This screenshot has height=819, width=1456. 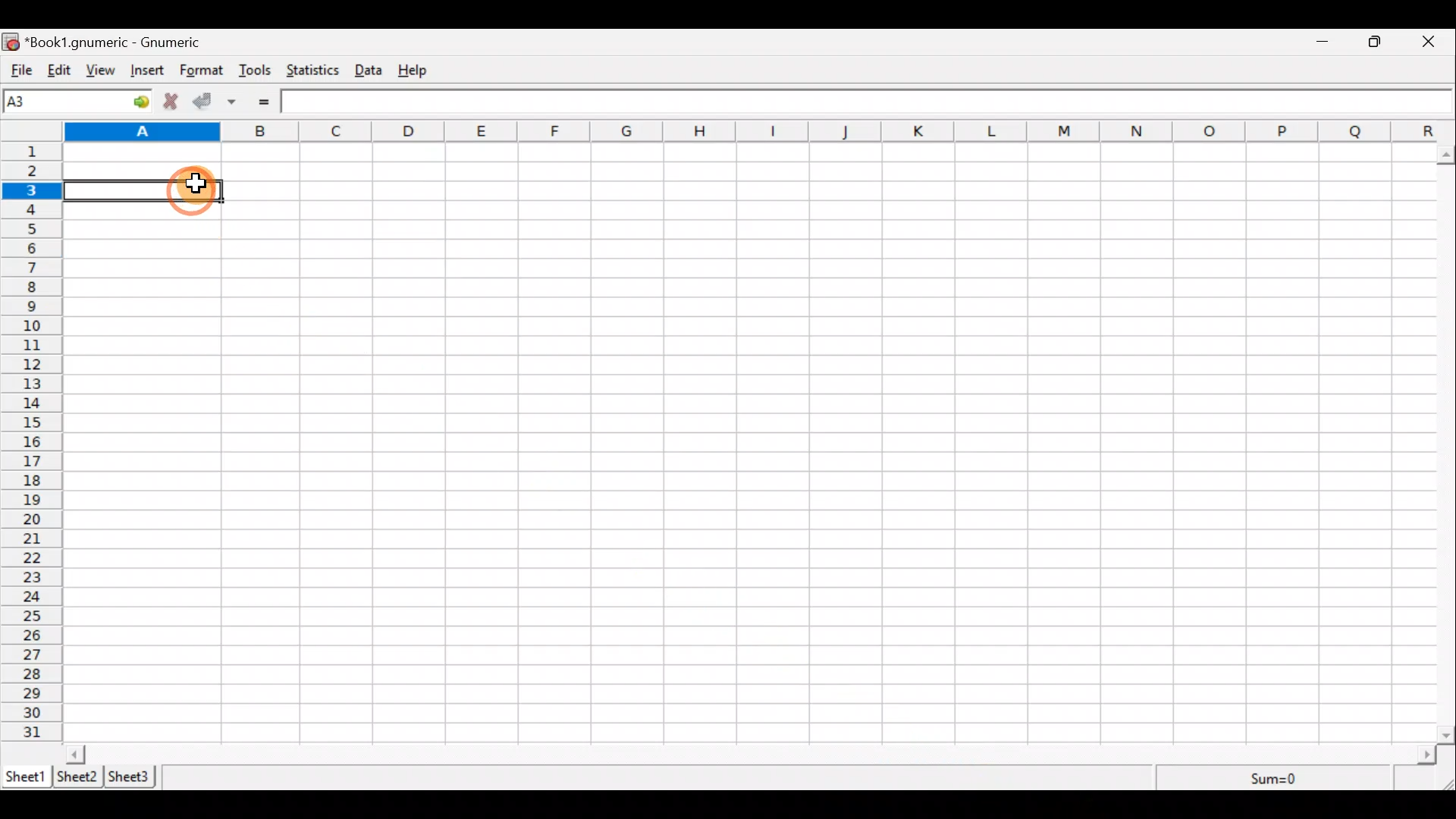 I want to click on Minimize, so click(x=1323, y=43).